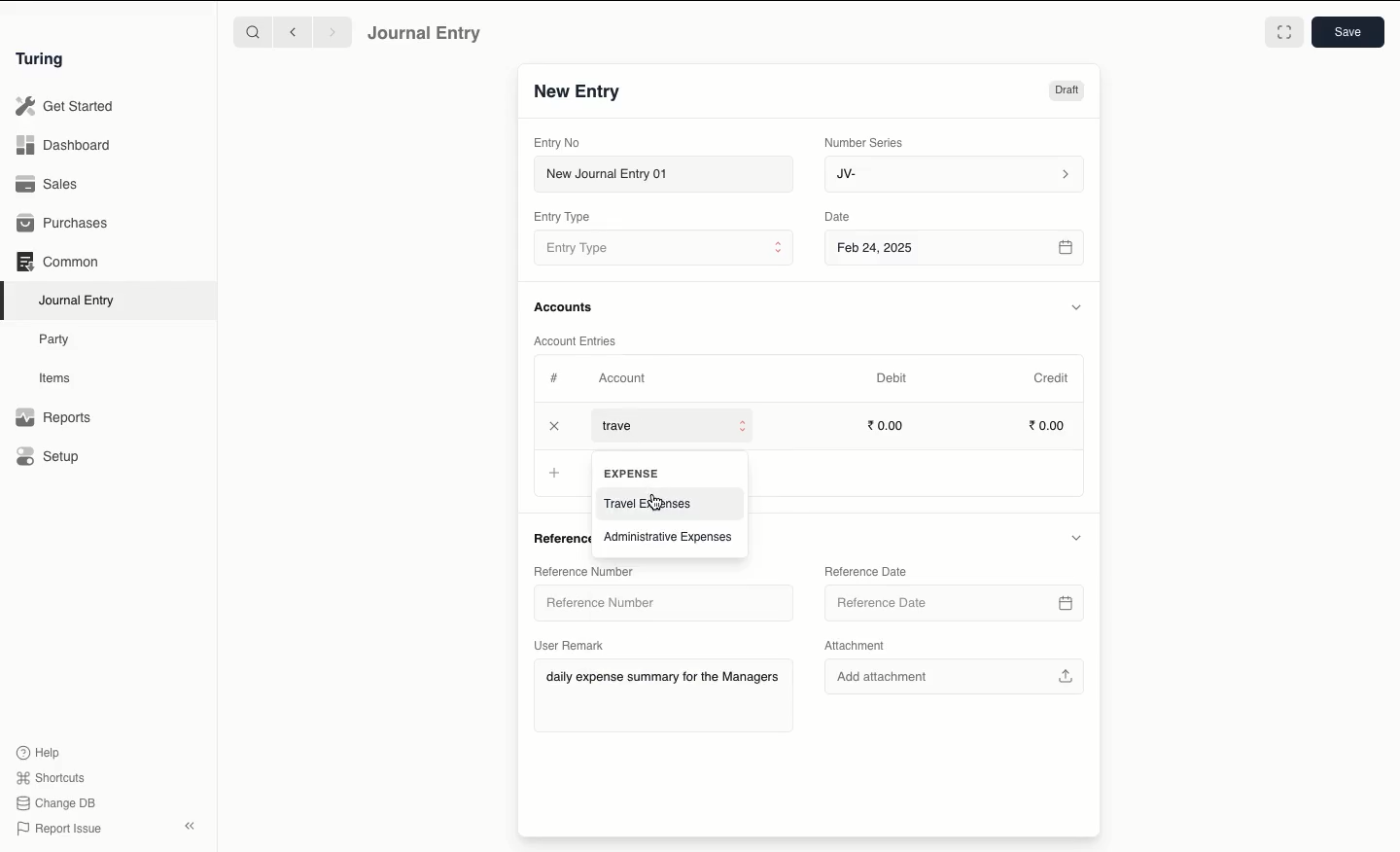 The image size is (1400, 852). Describe the element at coordinates (649, 503) in the screenshot. I see `Travel EXpnses` at that location.